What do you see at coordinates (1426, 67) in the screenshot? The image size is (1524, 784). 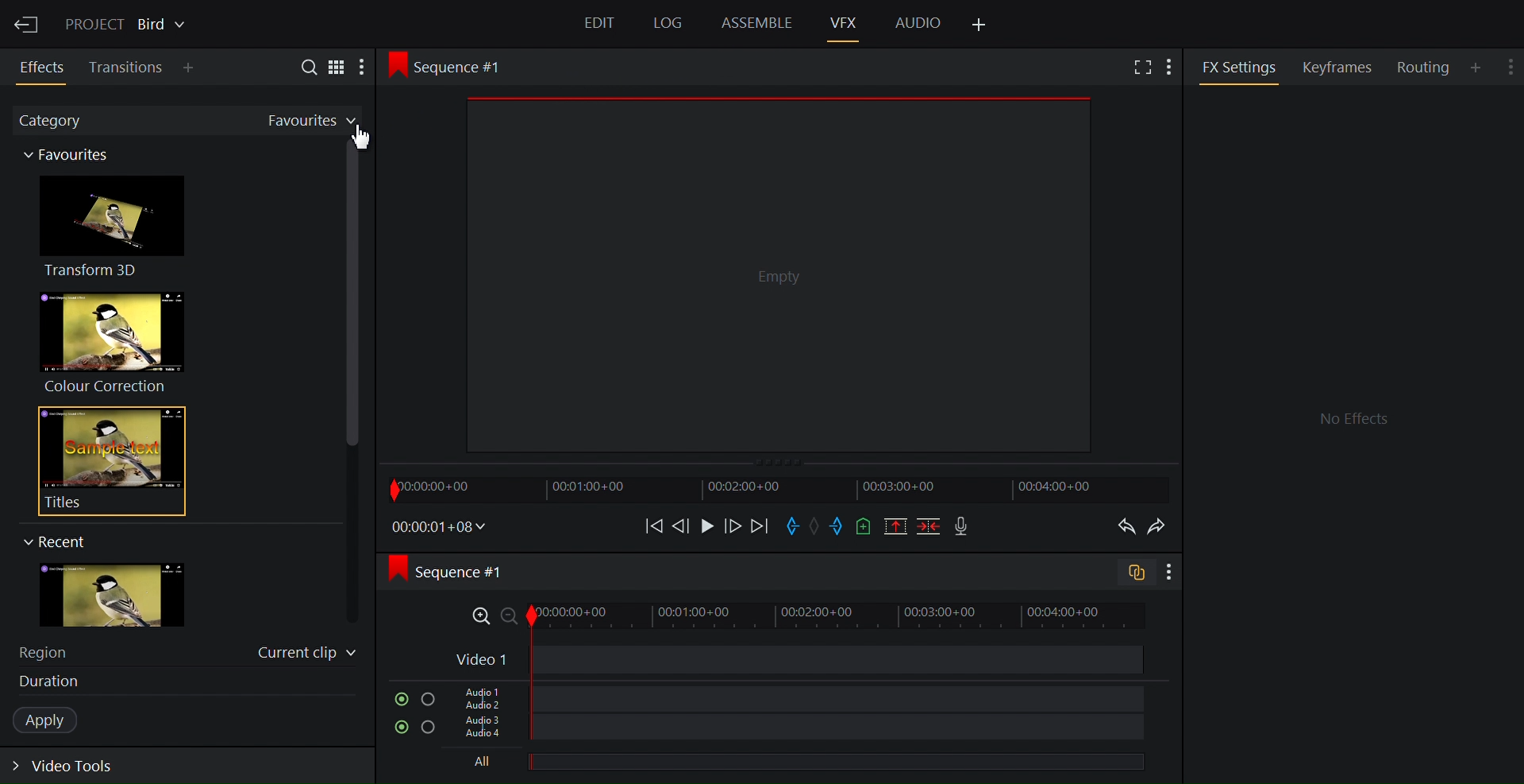 I see `Routing` at bounding box center [1426, 67].